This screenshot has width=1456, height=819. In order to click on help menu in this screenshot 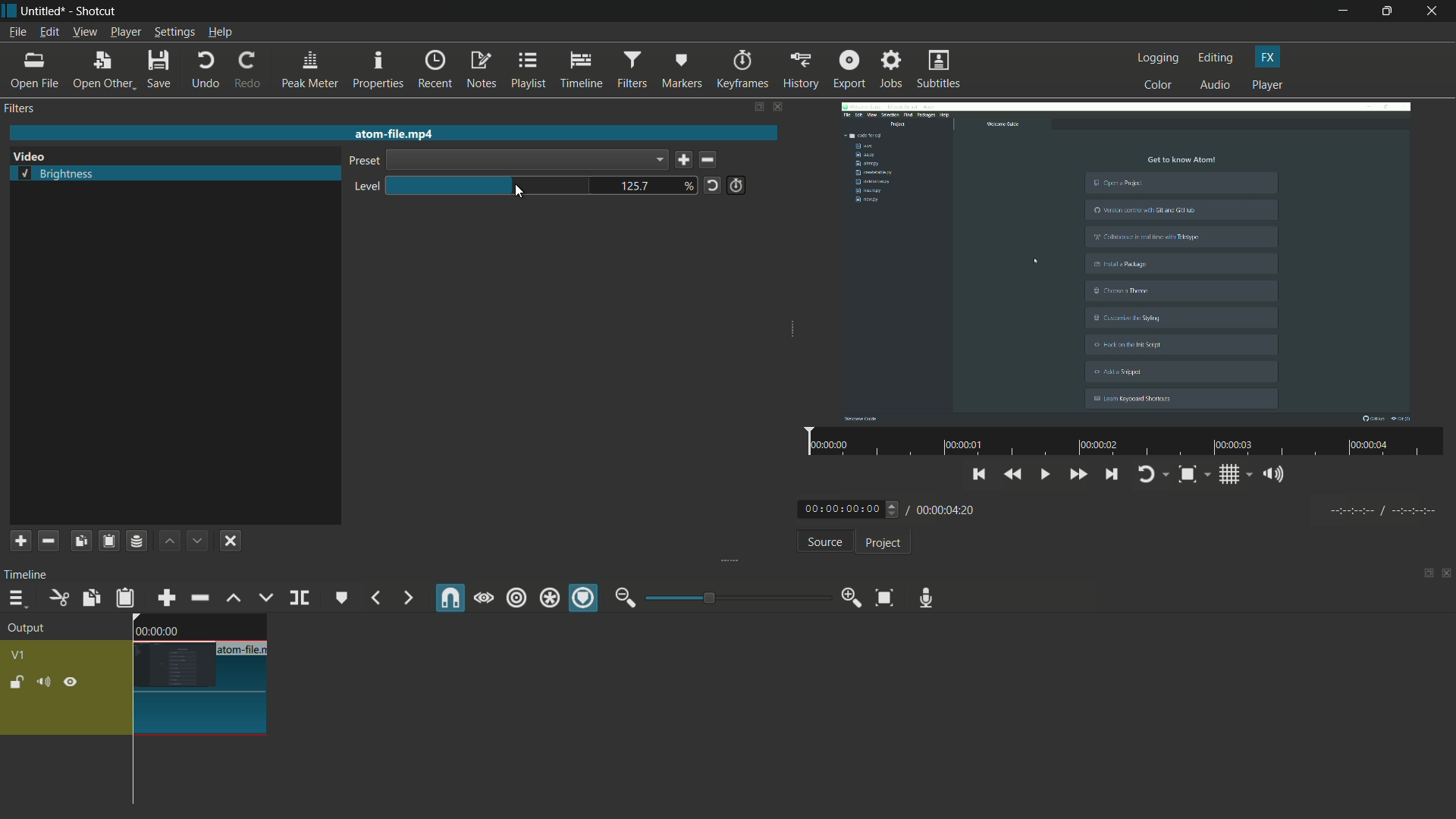, I will do `click(221, 33)`.